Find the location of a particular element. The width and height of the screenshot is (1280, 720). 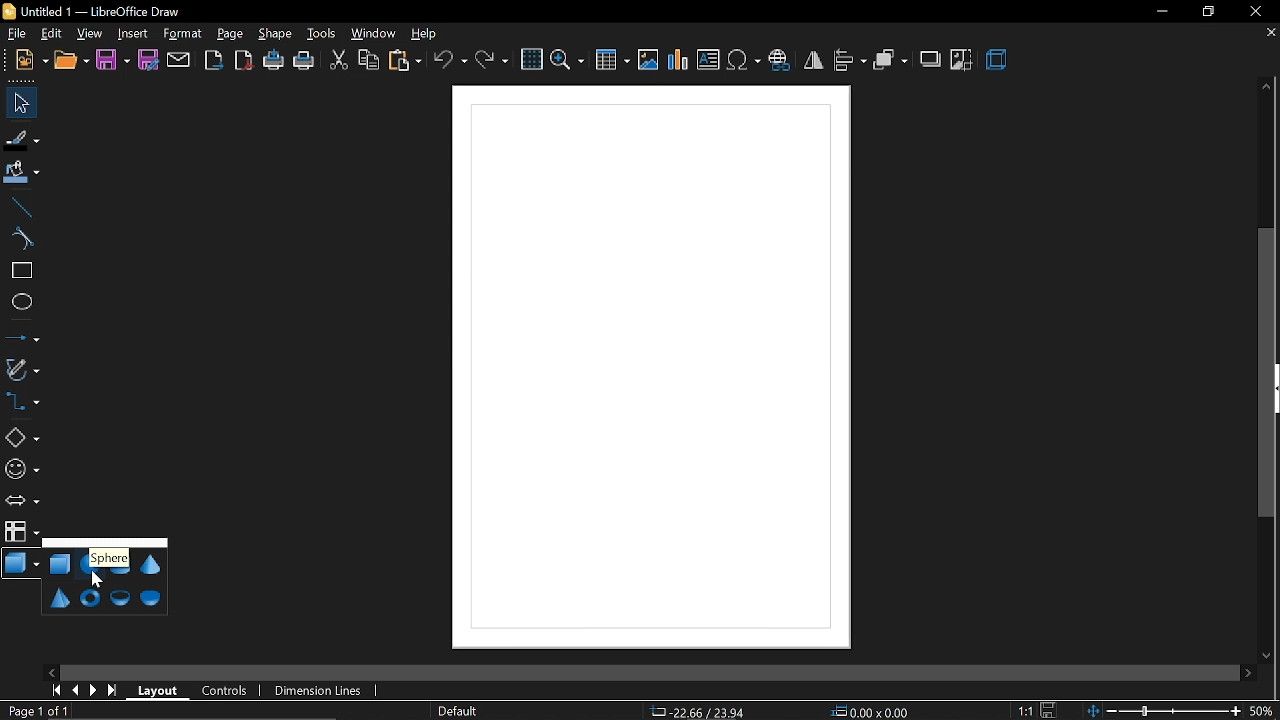

line is located at coordinates (20, 207).